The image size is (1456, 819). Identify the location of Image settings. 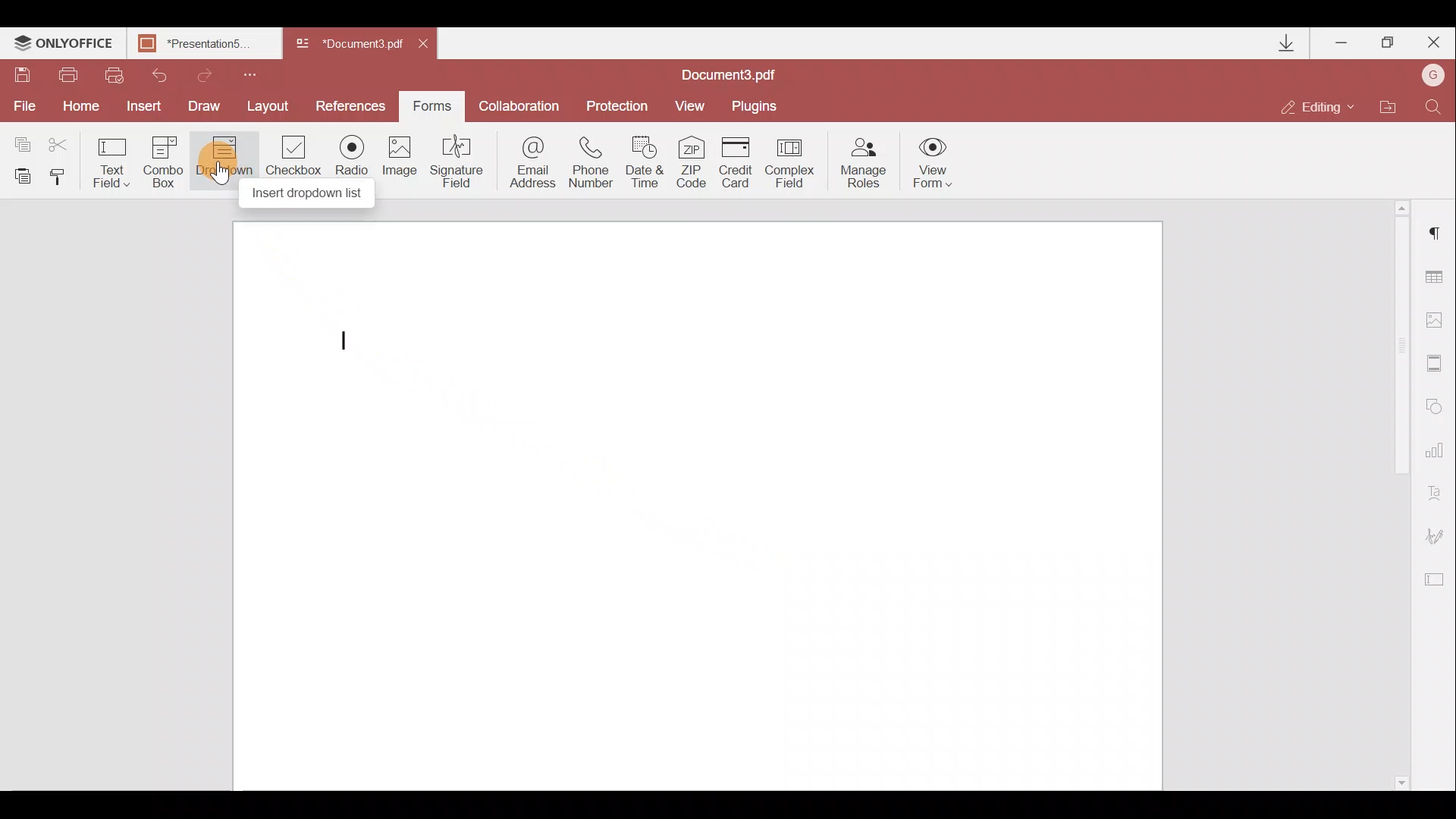
(1439, 319).